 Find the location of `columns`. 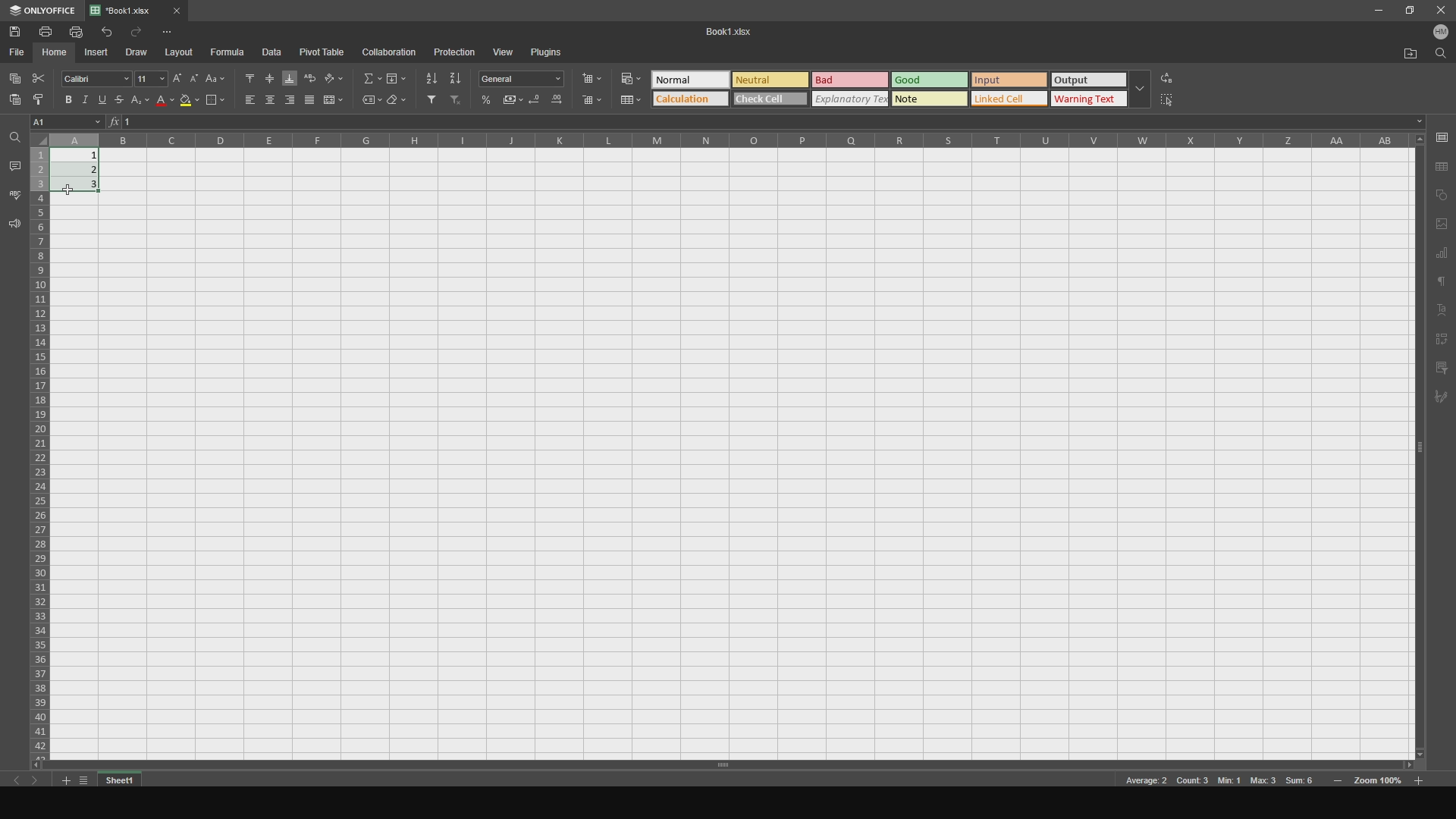

columns is located at coordinates (733, 140).